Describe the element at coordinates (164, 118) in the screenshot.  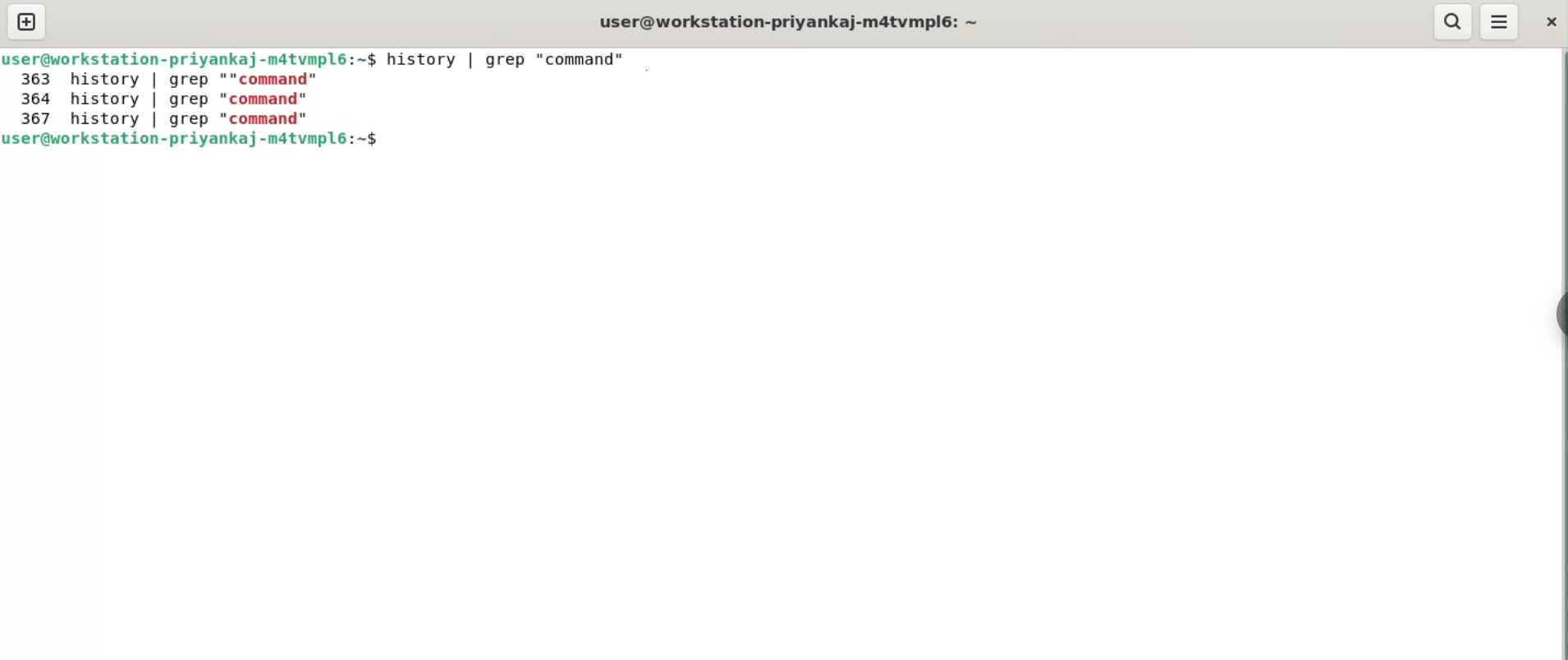
I see `367 history | grep "command"` at that location.